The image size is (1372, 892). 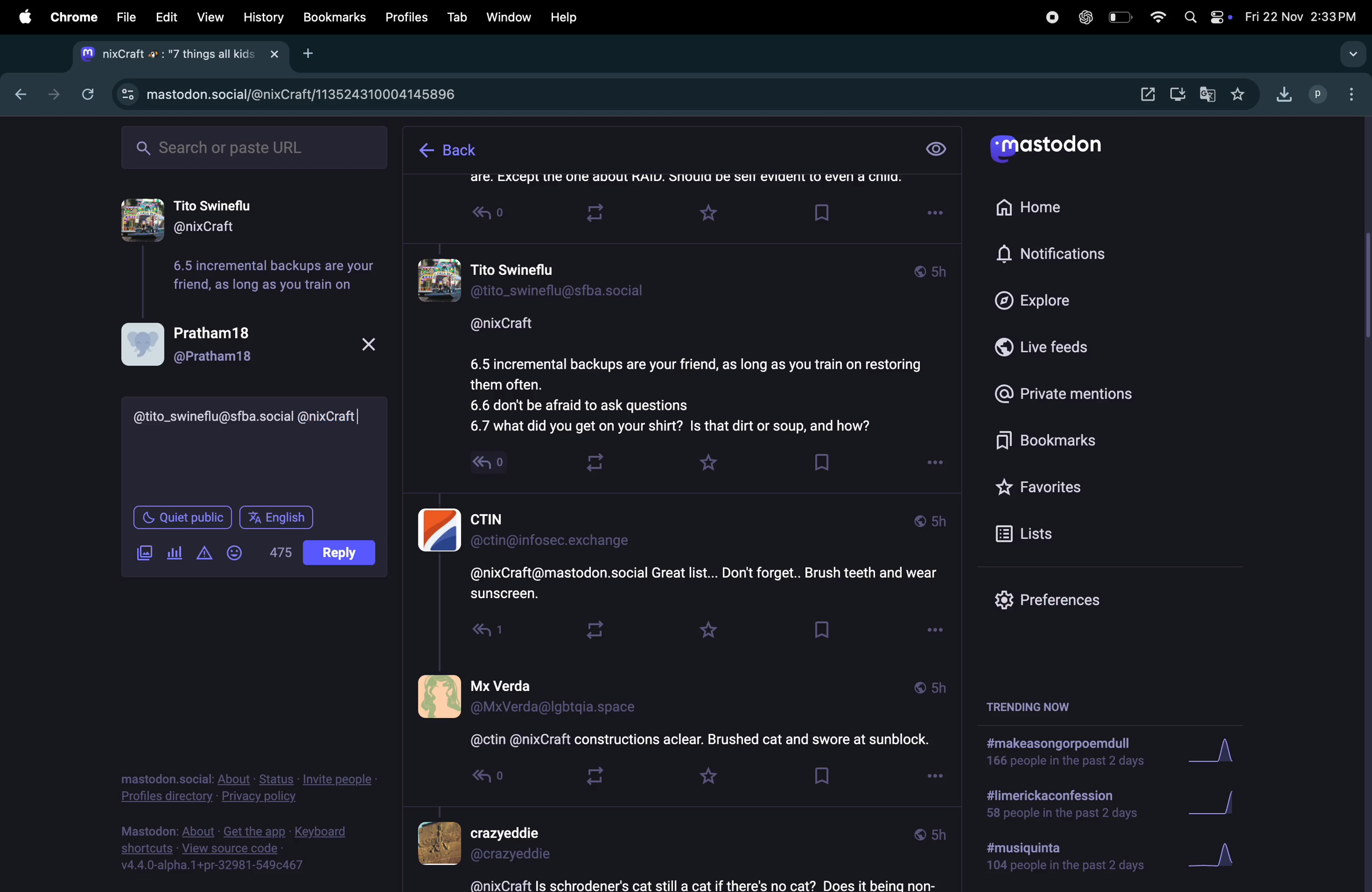 What do you see at coordinates (281, 552) in the screenshot?
I see `inline words` at bounding box center [281, 552].